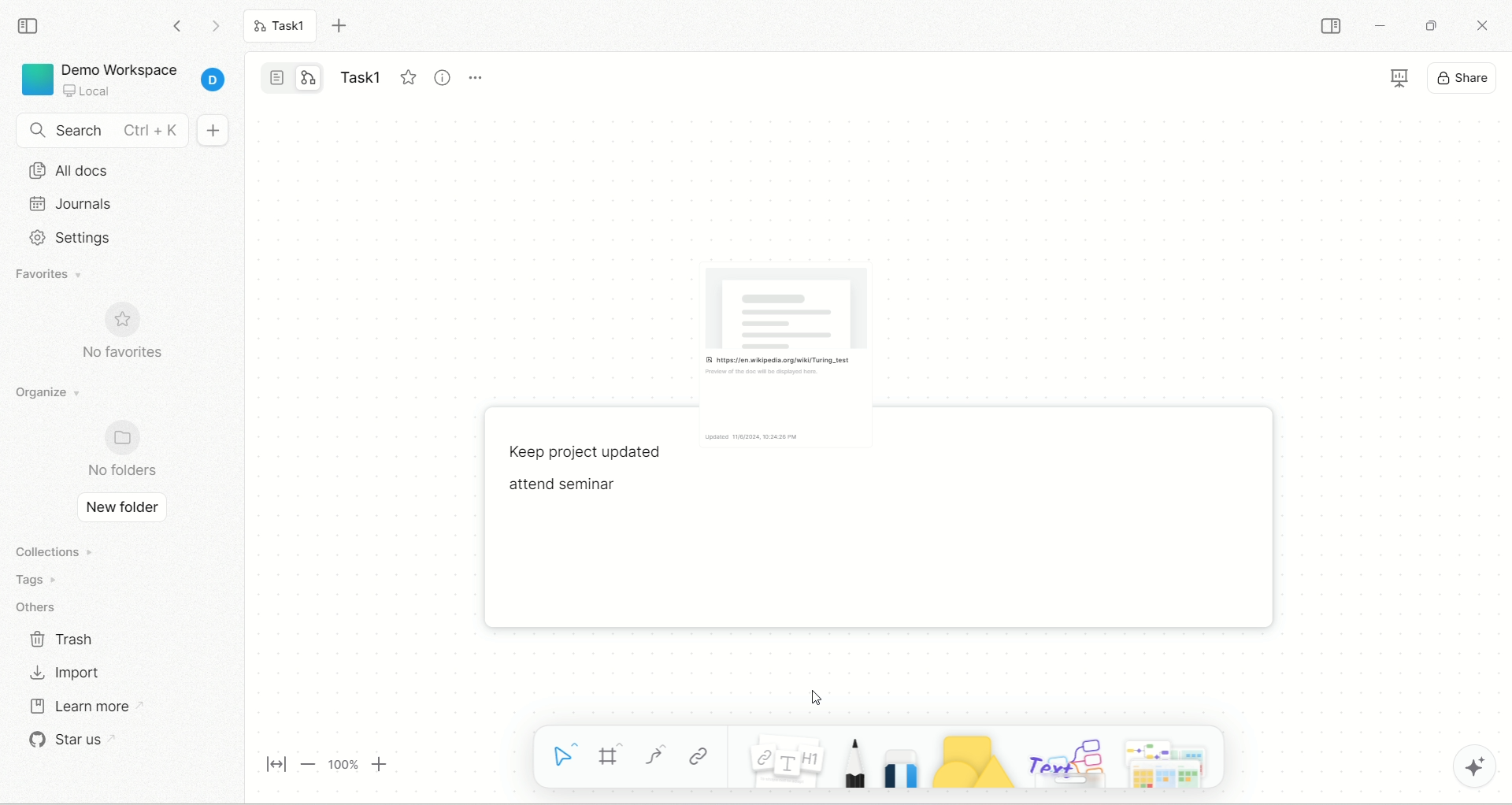 This screenshot has width=1512, height=805. I want to click on edgeless mode, so click(308, 78).